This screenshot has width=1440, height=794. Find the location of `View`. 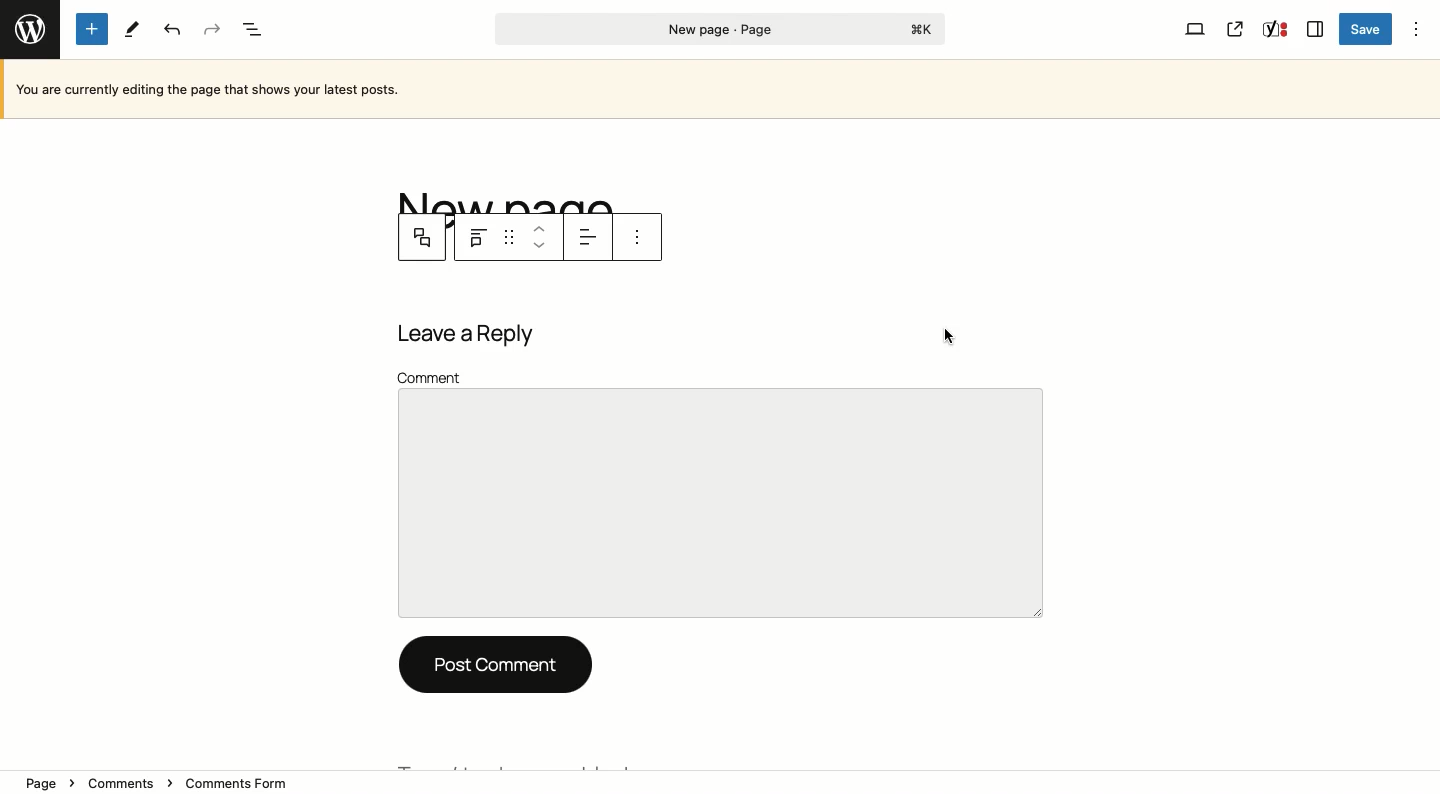

View is located at coordinates (1196, 27).